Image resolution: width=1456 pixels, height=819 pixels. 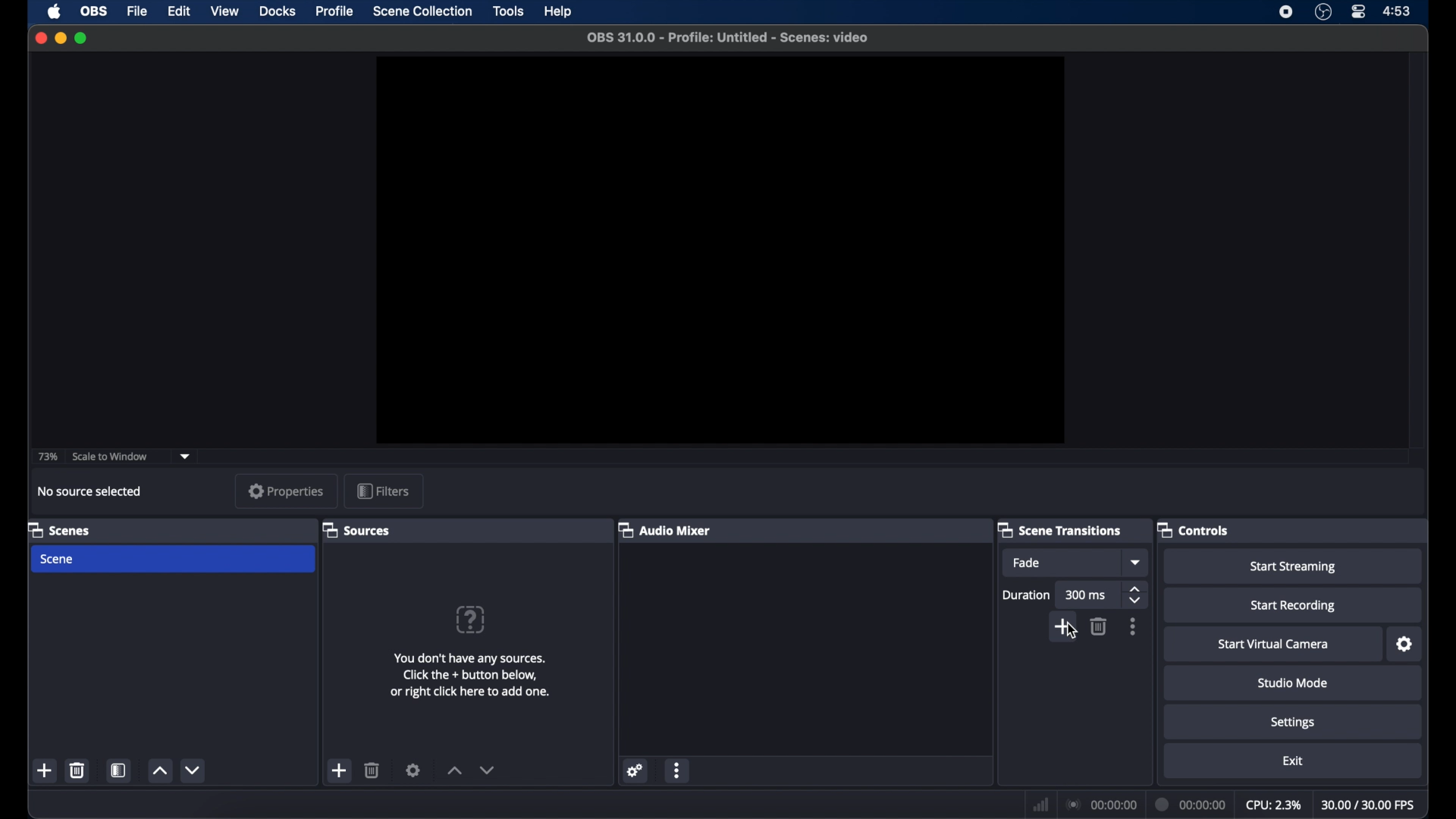 I want to click on duration, so click(x=1191, y=804).